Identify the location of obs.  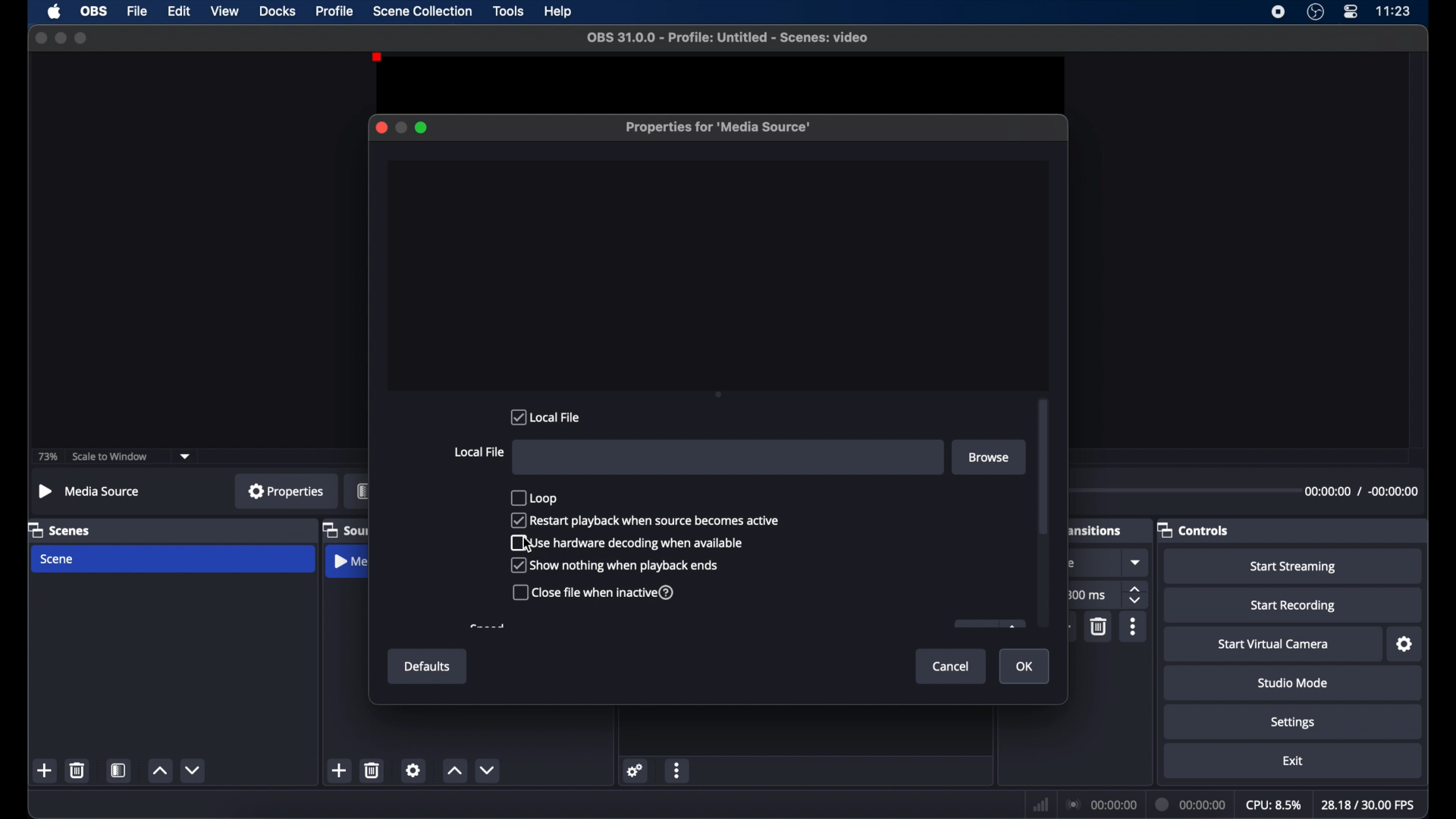
(96, 11).